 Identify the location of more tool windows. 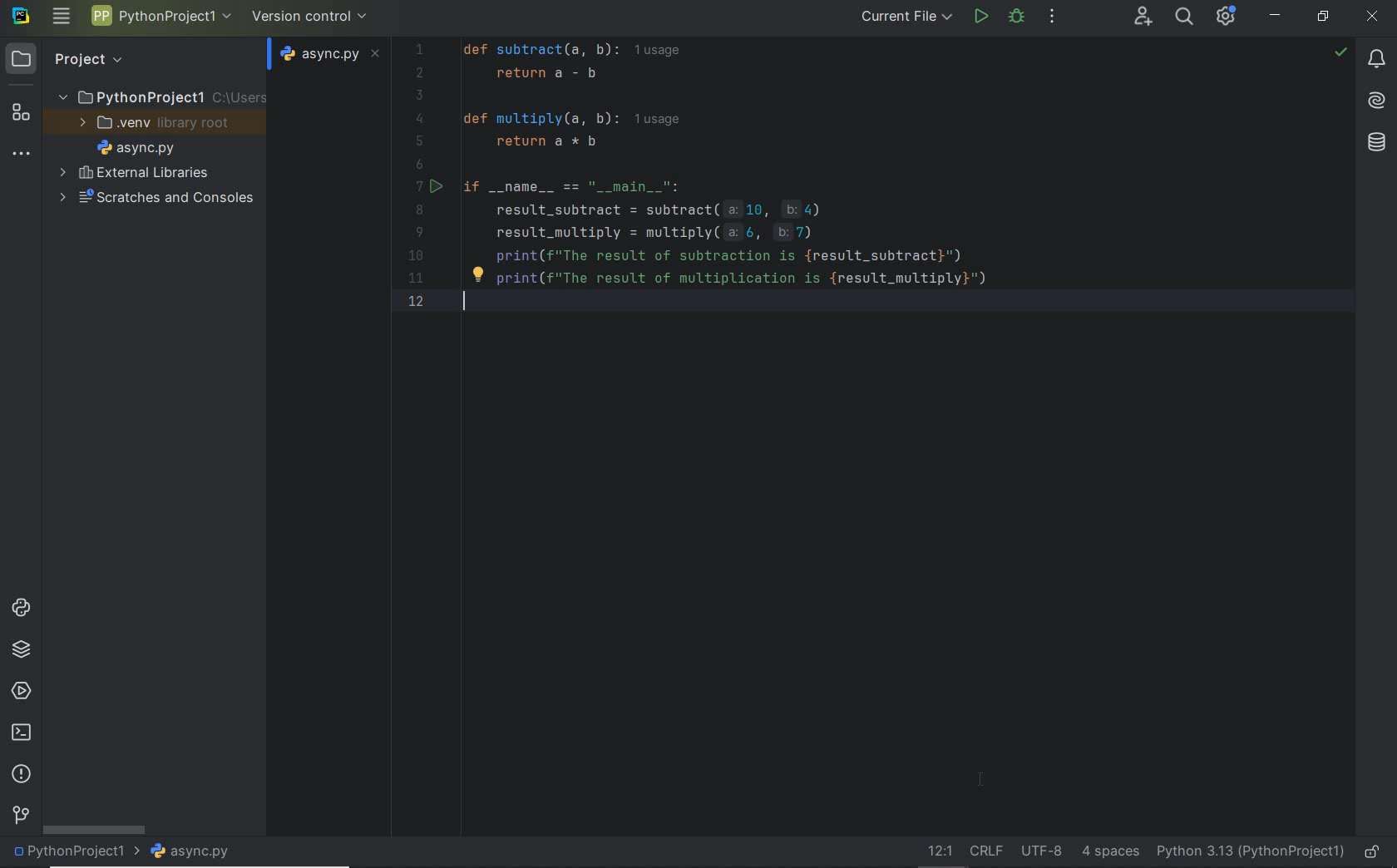
(21, 155).